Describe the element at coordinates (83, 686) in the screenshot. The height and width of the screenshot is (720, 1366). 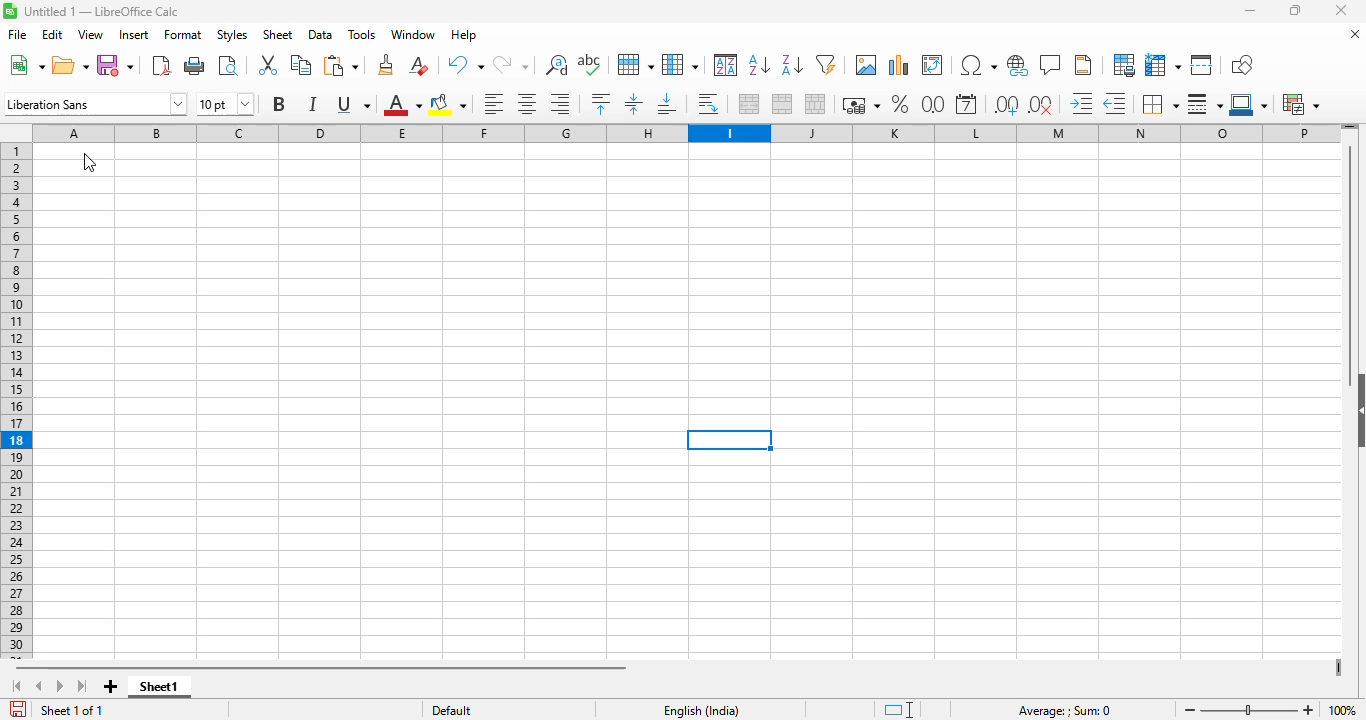
I see `scroll to last sheet` at that location.